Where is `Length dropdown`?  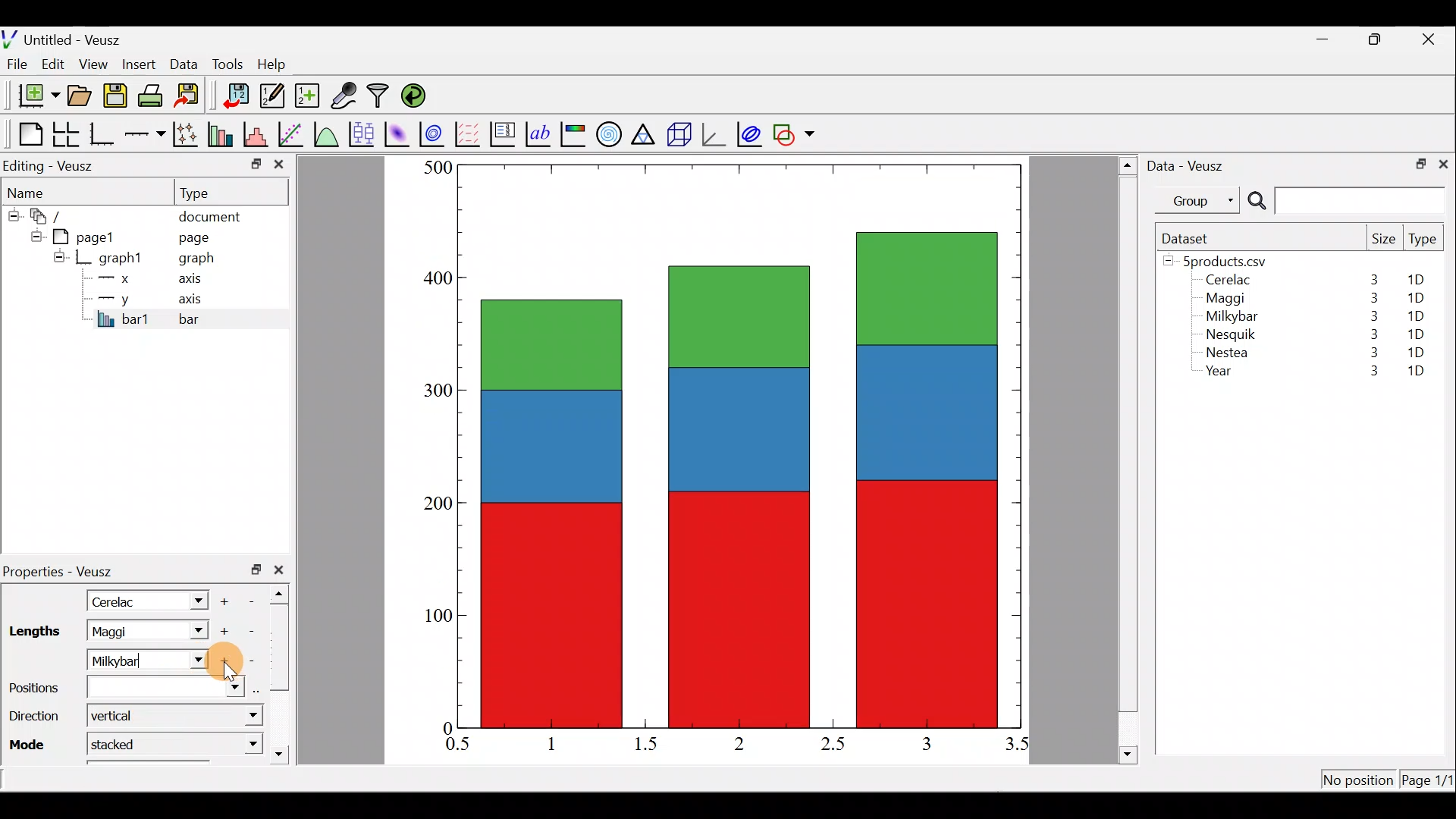 Length dropdown is located at coordinates (194, 631).